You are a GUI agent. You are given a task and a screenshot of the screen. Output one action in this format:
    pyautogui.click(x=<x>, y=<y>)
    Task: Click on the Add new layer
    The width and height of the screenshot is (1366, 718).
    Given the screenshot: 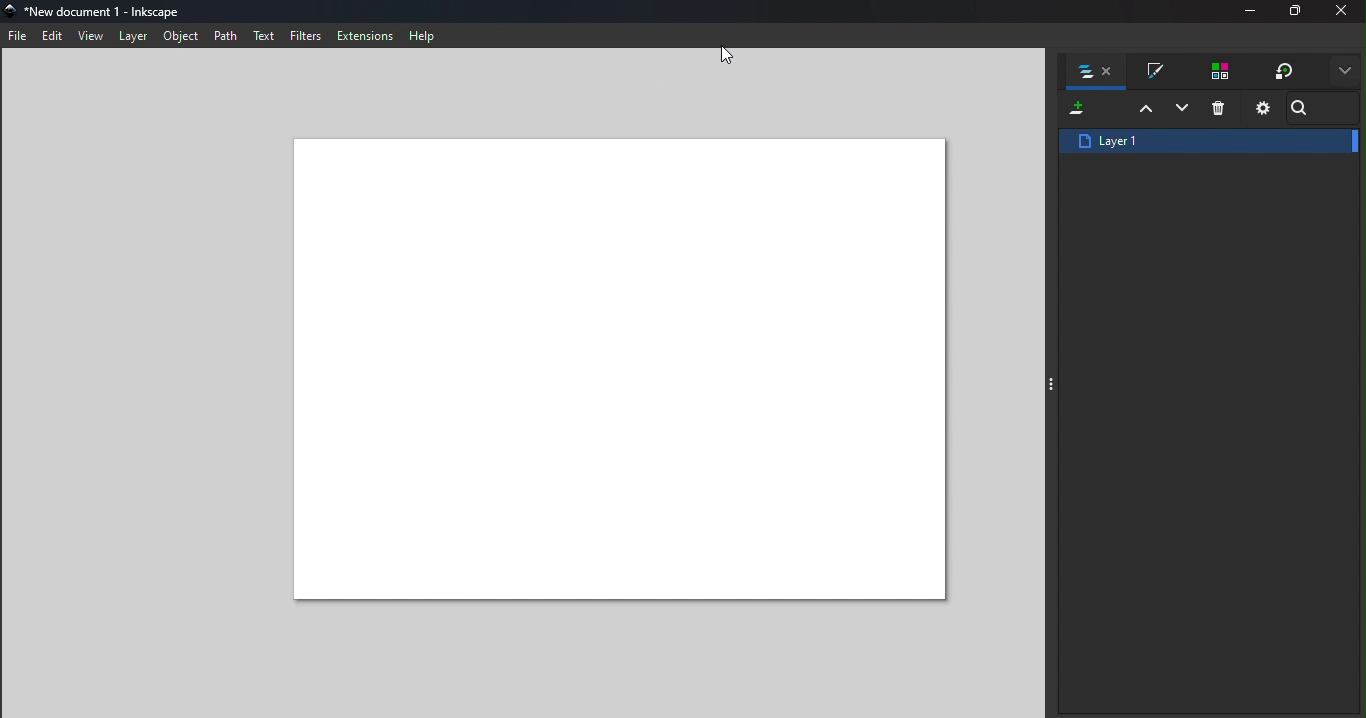 What is the action you would take?
    pyautogui.click(x=1091, y=110)
    